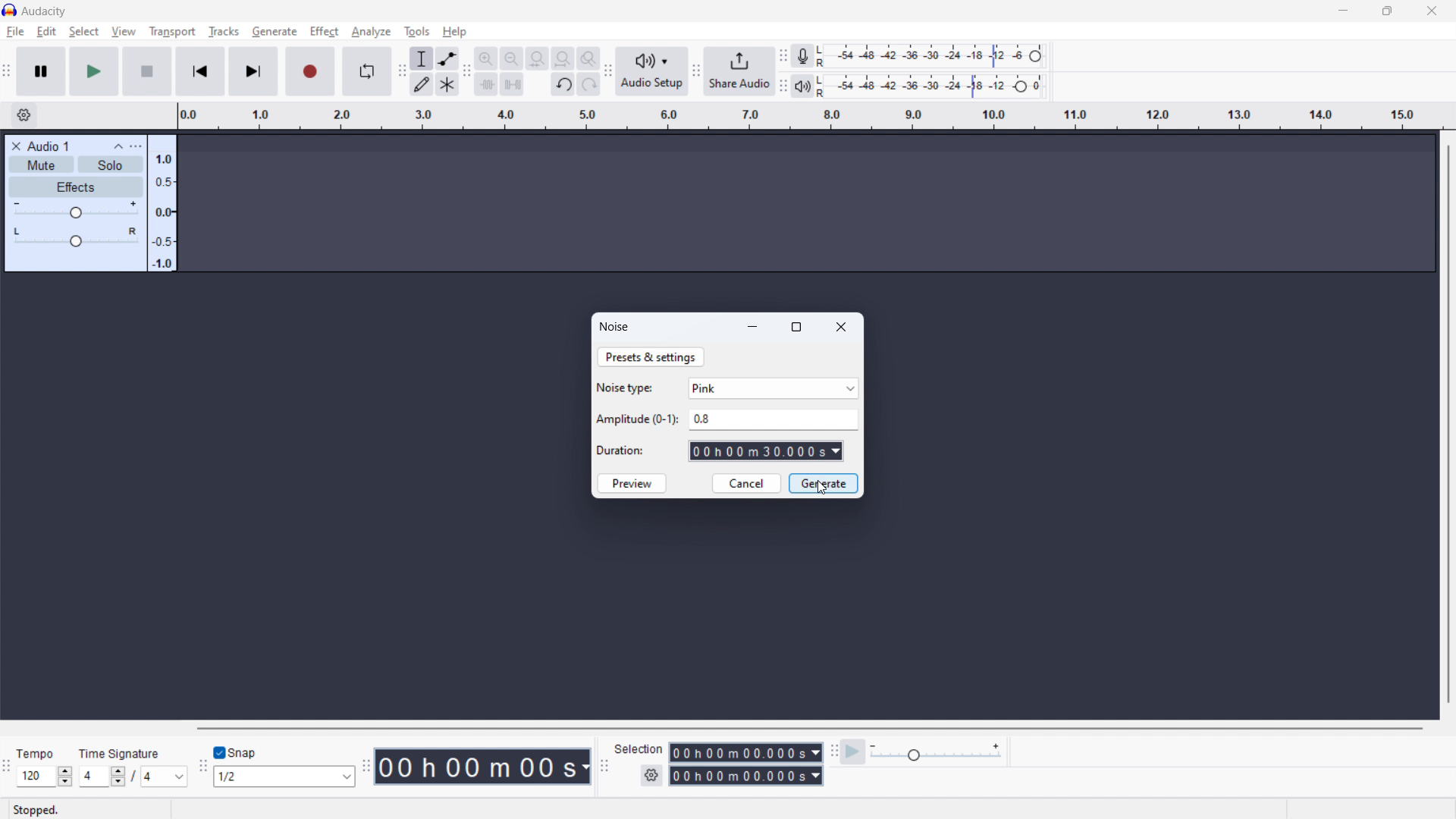  Describe the element at coordinates (843, 327) in the screenshot. I see `close` at that location.